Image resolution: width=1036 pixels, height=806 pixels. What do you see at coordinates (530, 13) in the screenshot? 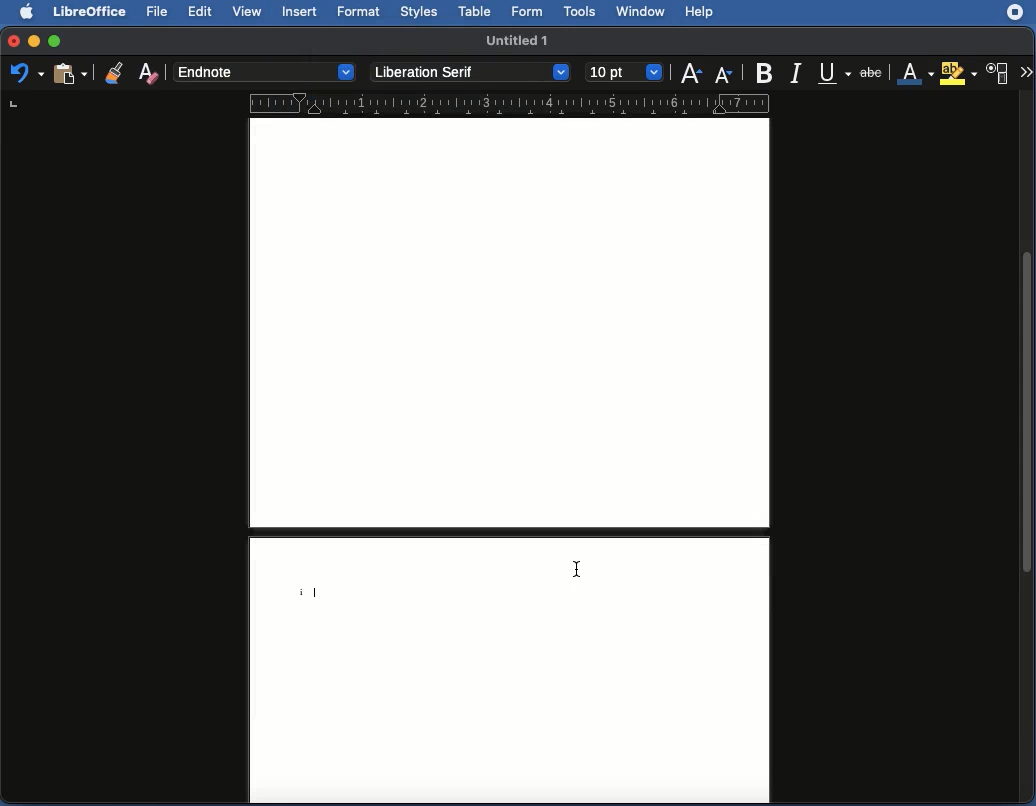
I see `Form` at bounding box center [530, 13].